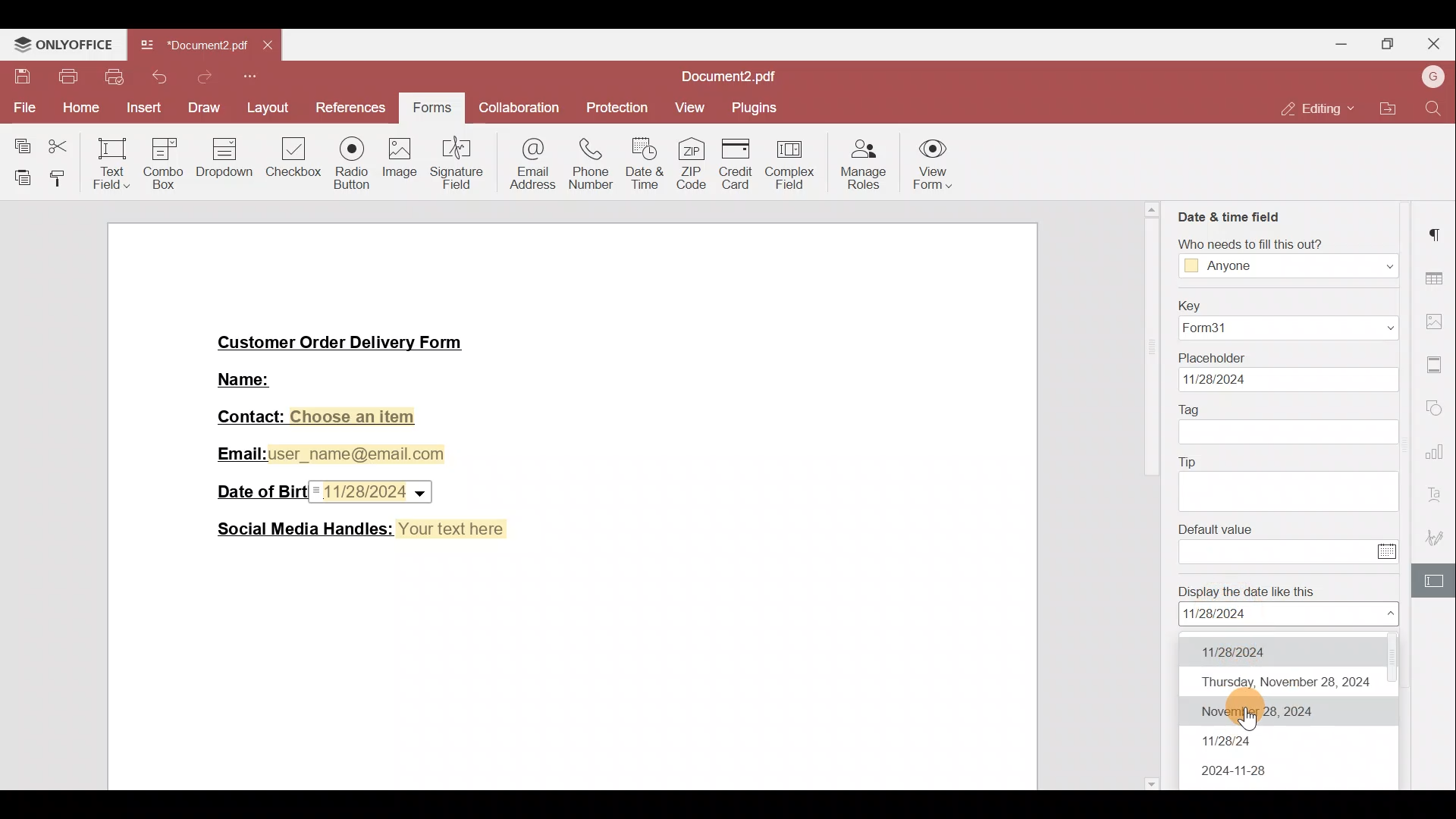 The height and width of the screenshot is (819, 1456). I want to click on Chart settings, so click(1438, 457).